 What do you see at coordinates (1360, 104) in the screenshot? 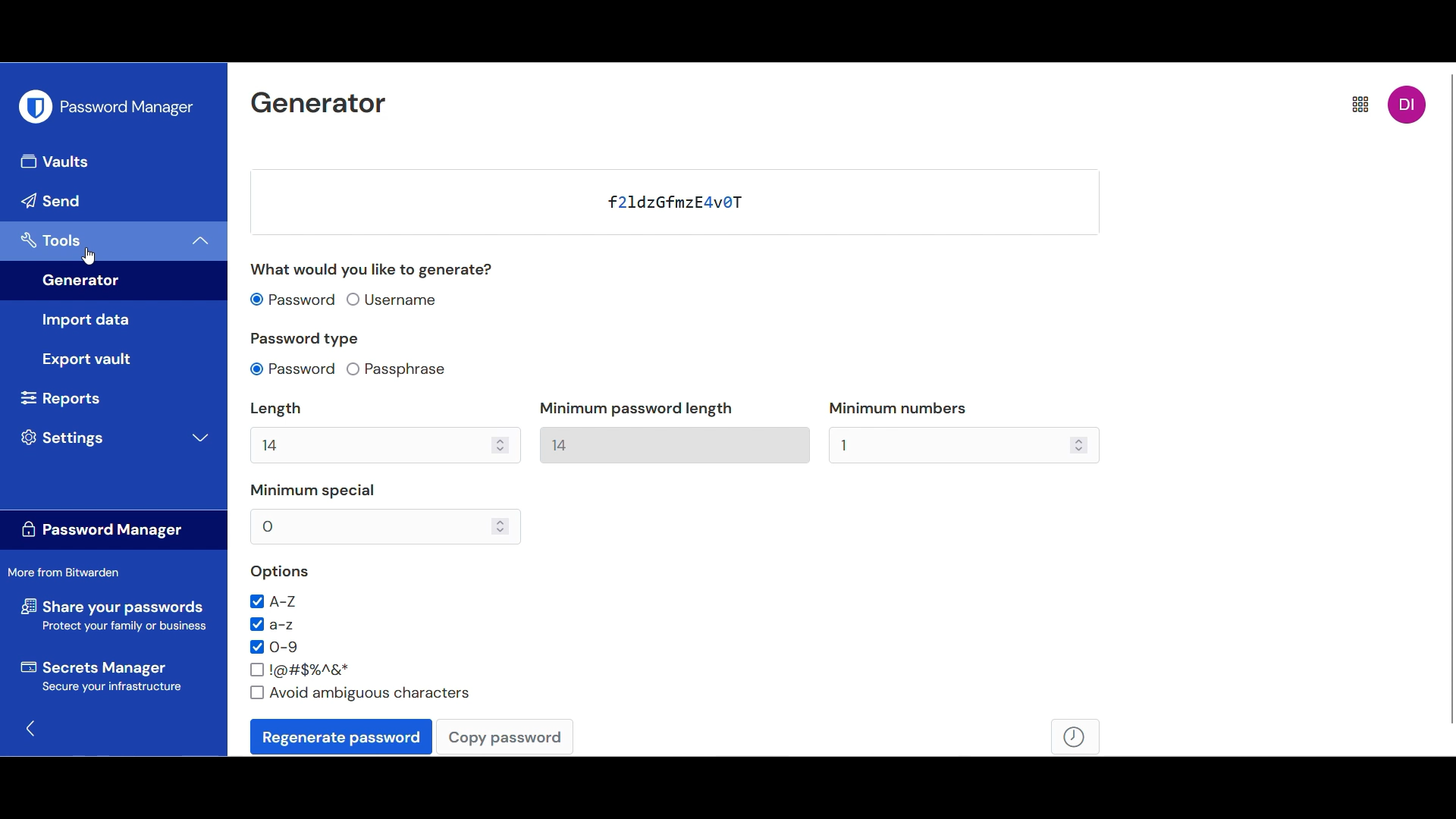
I see `More settings` at bounding box center [1360, 104].